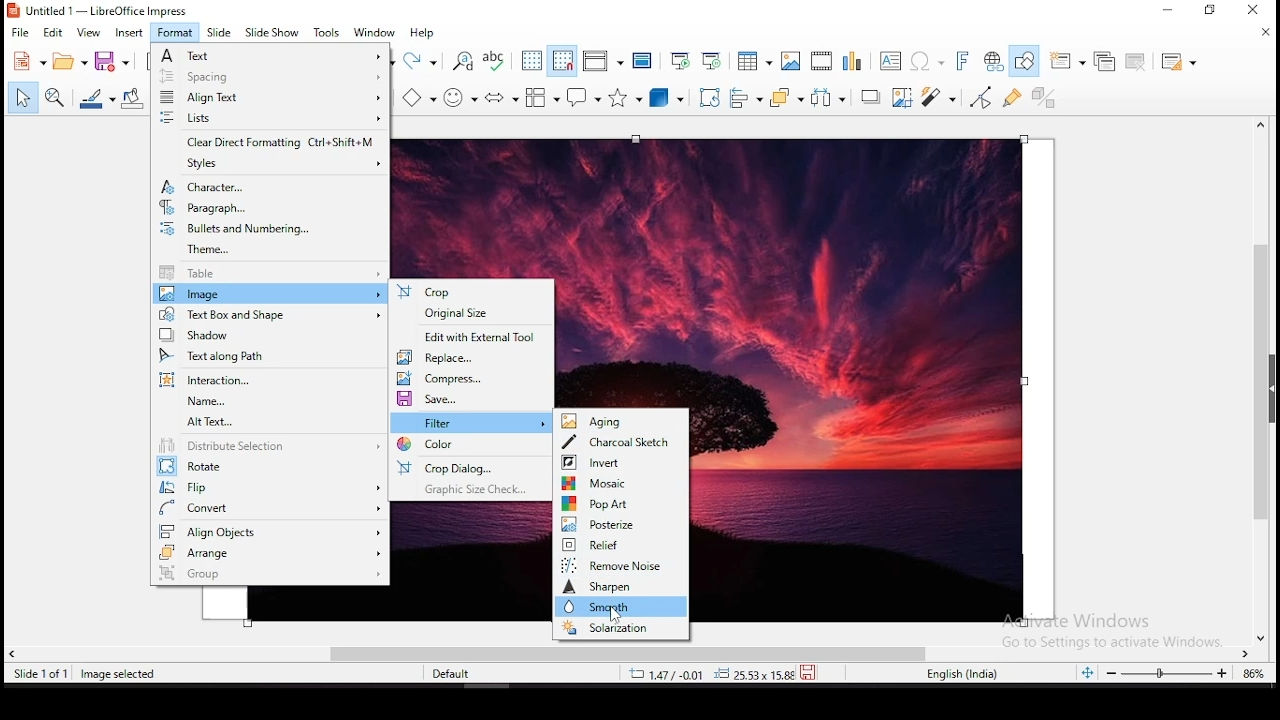 The width and height of the screenshot is (1280, 720). What do you see at coordinates (267, 335) in the screenshot?
I see `shadow` at bounding box center [267, 335].